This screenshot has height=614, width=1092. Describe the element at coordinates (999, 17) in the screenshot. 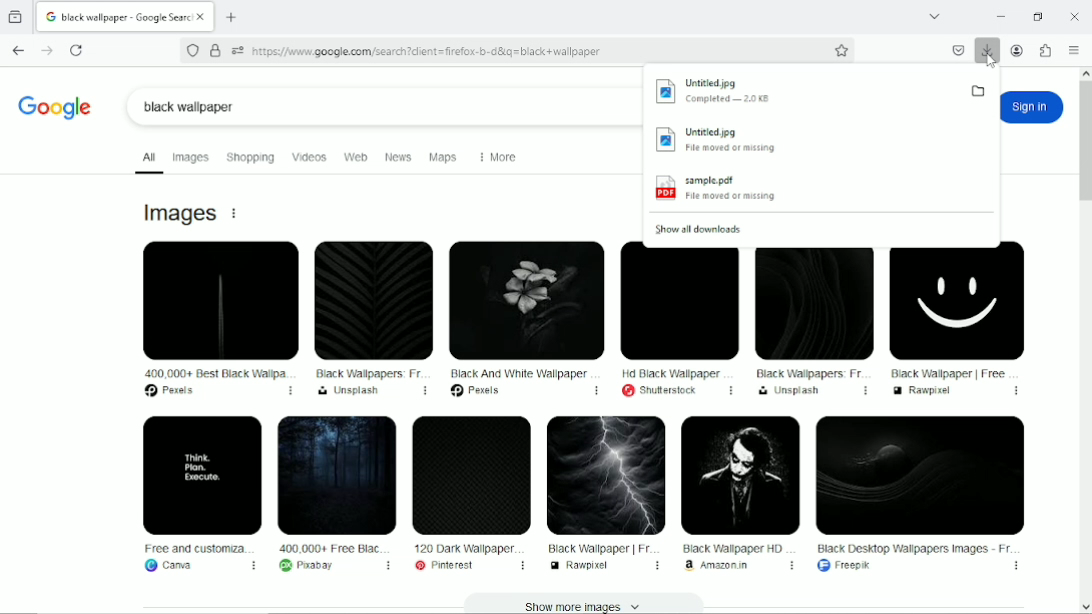

I see `Minimize` at that location.